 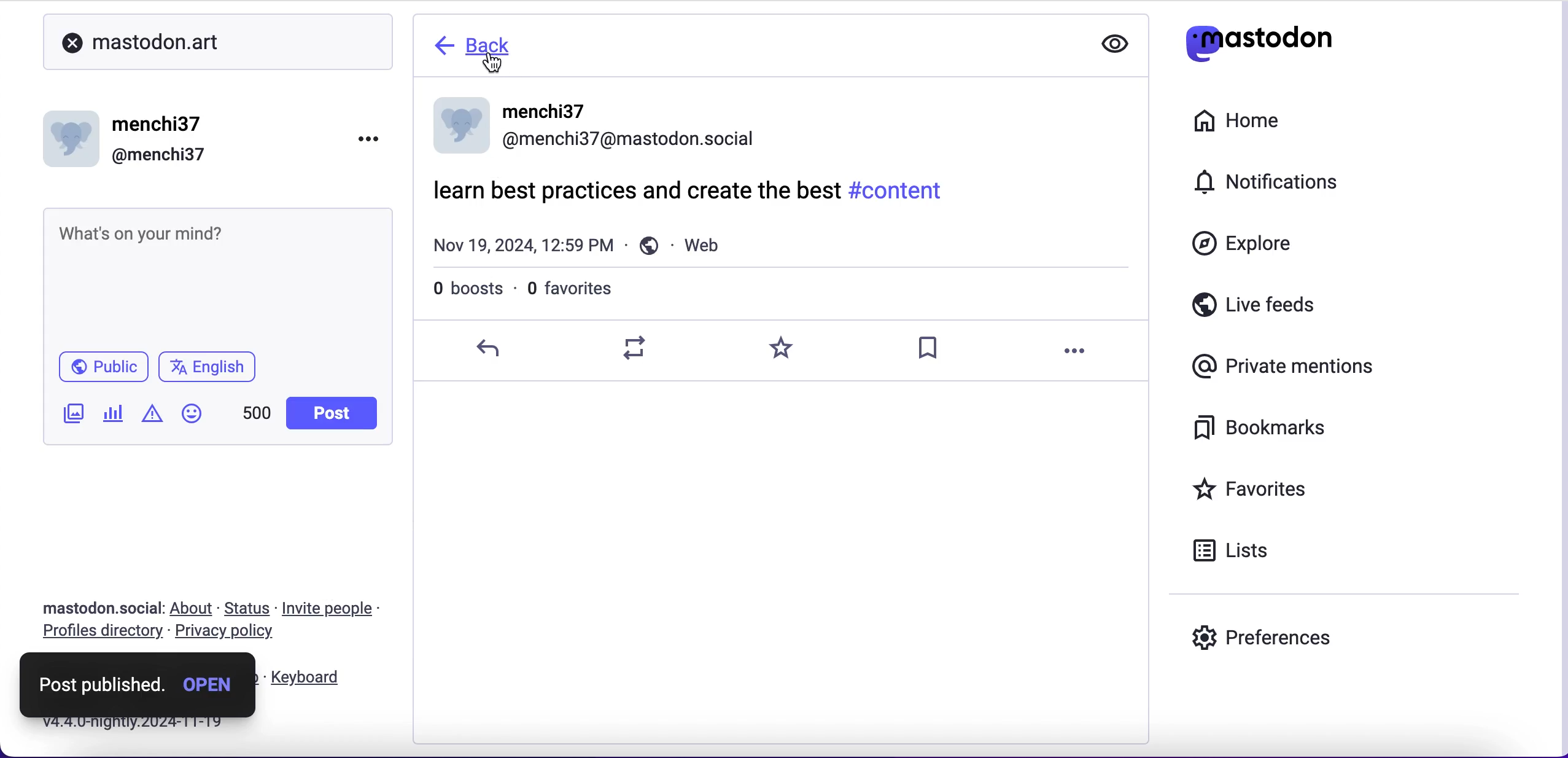 What do you see at coordinates (98, 633) in the screenshot?
I see `profiles directory` at bounding box center [98, 633].